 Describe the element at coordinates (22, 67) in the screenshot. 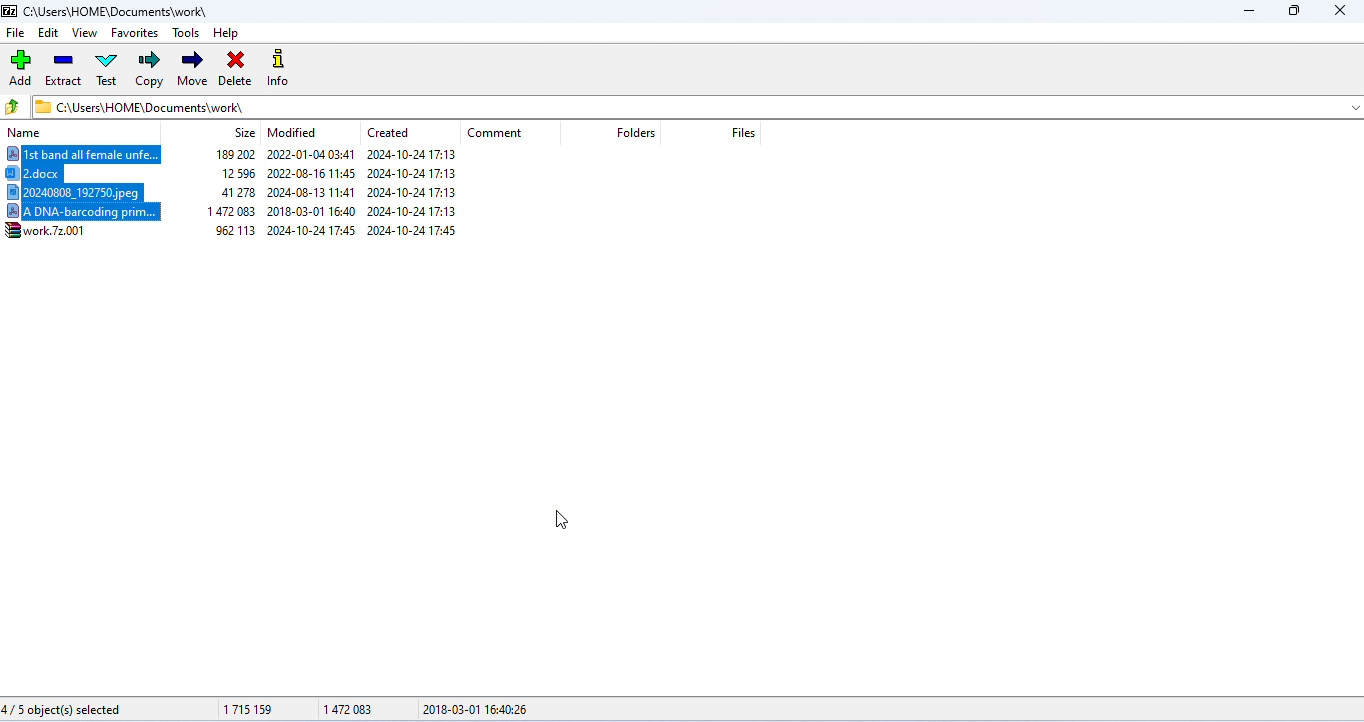

I see `add` at that location.